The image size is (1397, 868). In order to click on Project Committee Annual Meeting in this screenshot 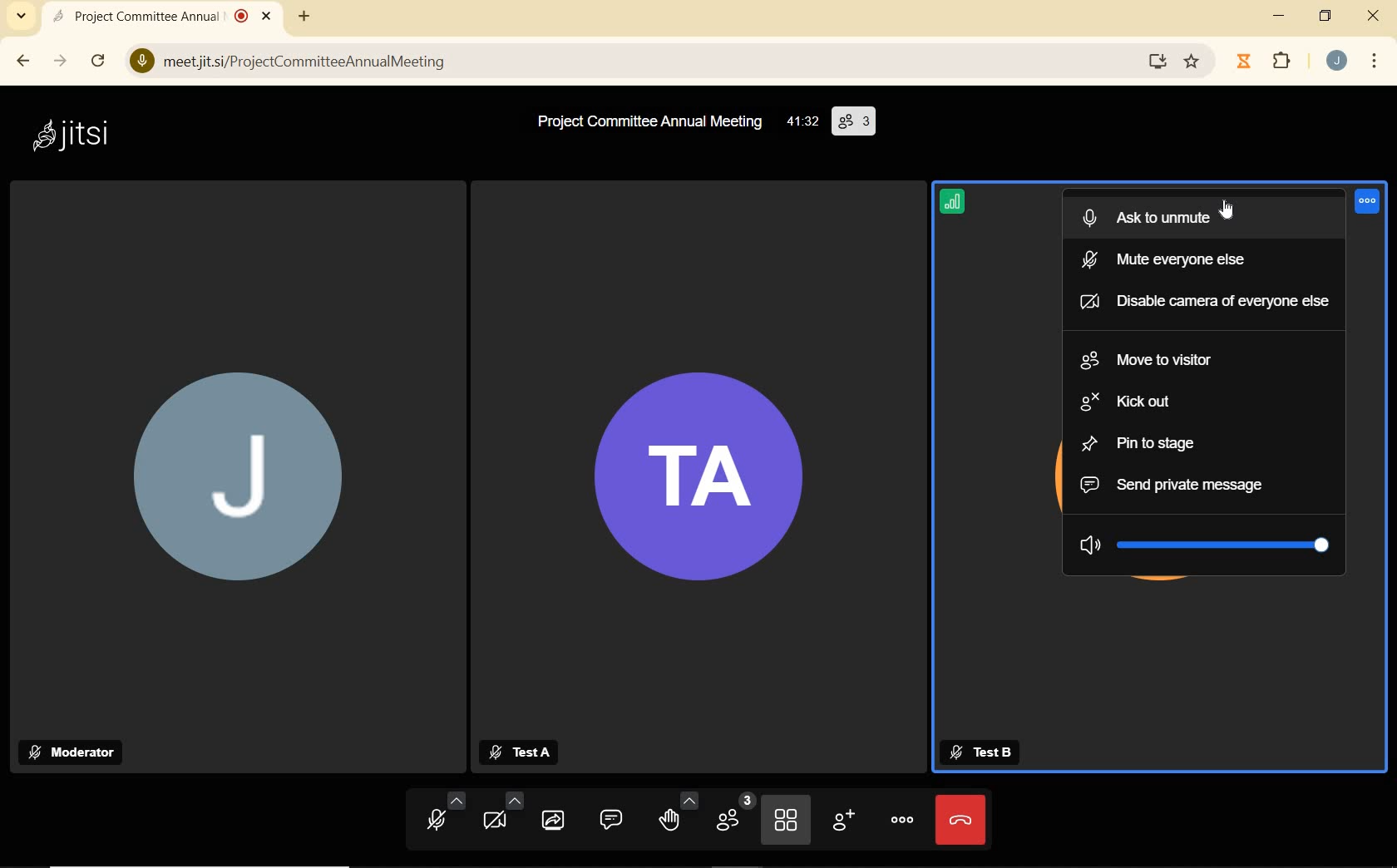, I will do `click(646, 122)`.